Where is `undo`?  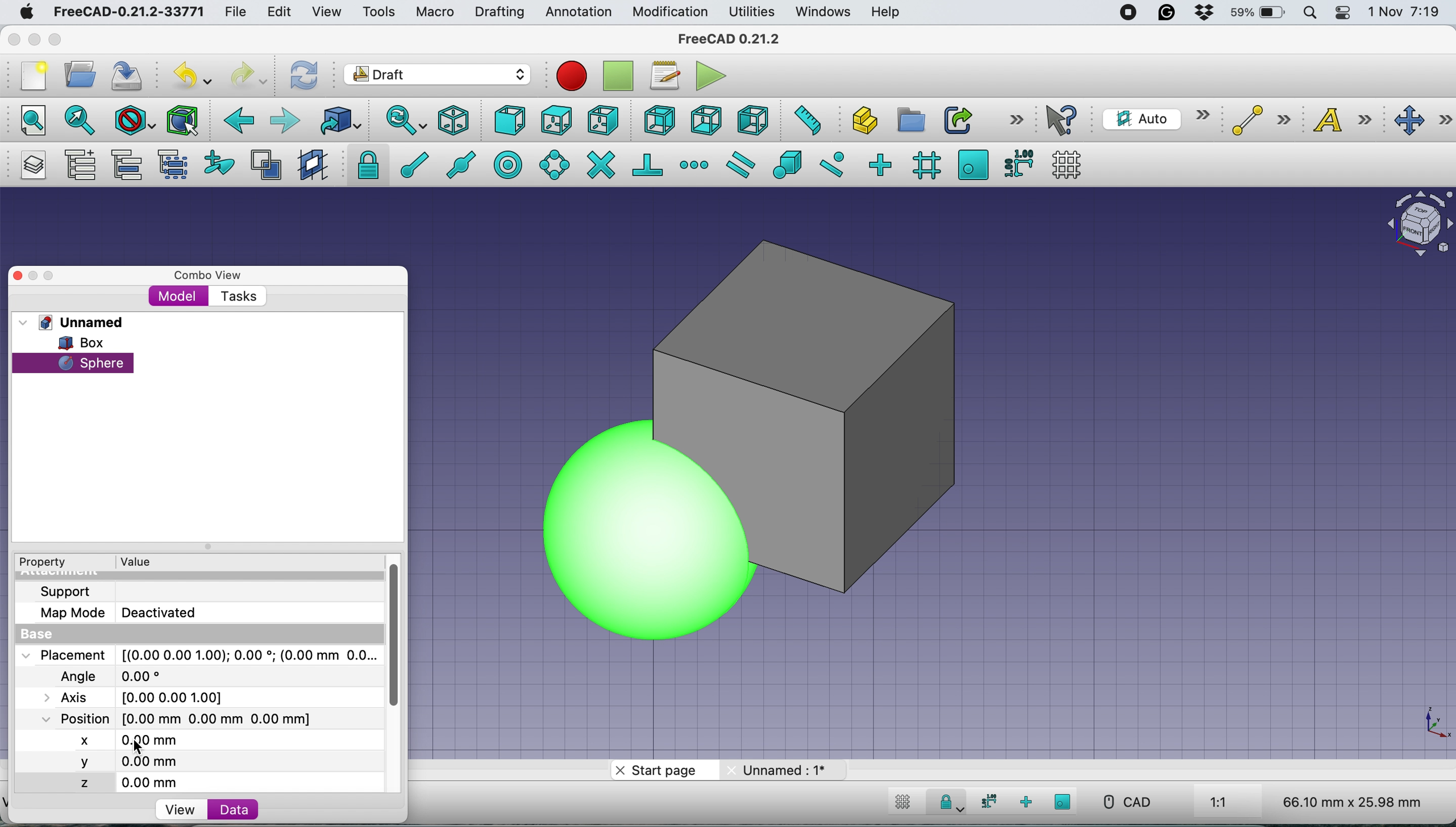
undo is located at coordinates (194, 74).